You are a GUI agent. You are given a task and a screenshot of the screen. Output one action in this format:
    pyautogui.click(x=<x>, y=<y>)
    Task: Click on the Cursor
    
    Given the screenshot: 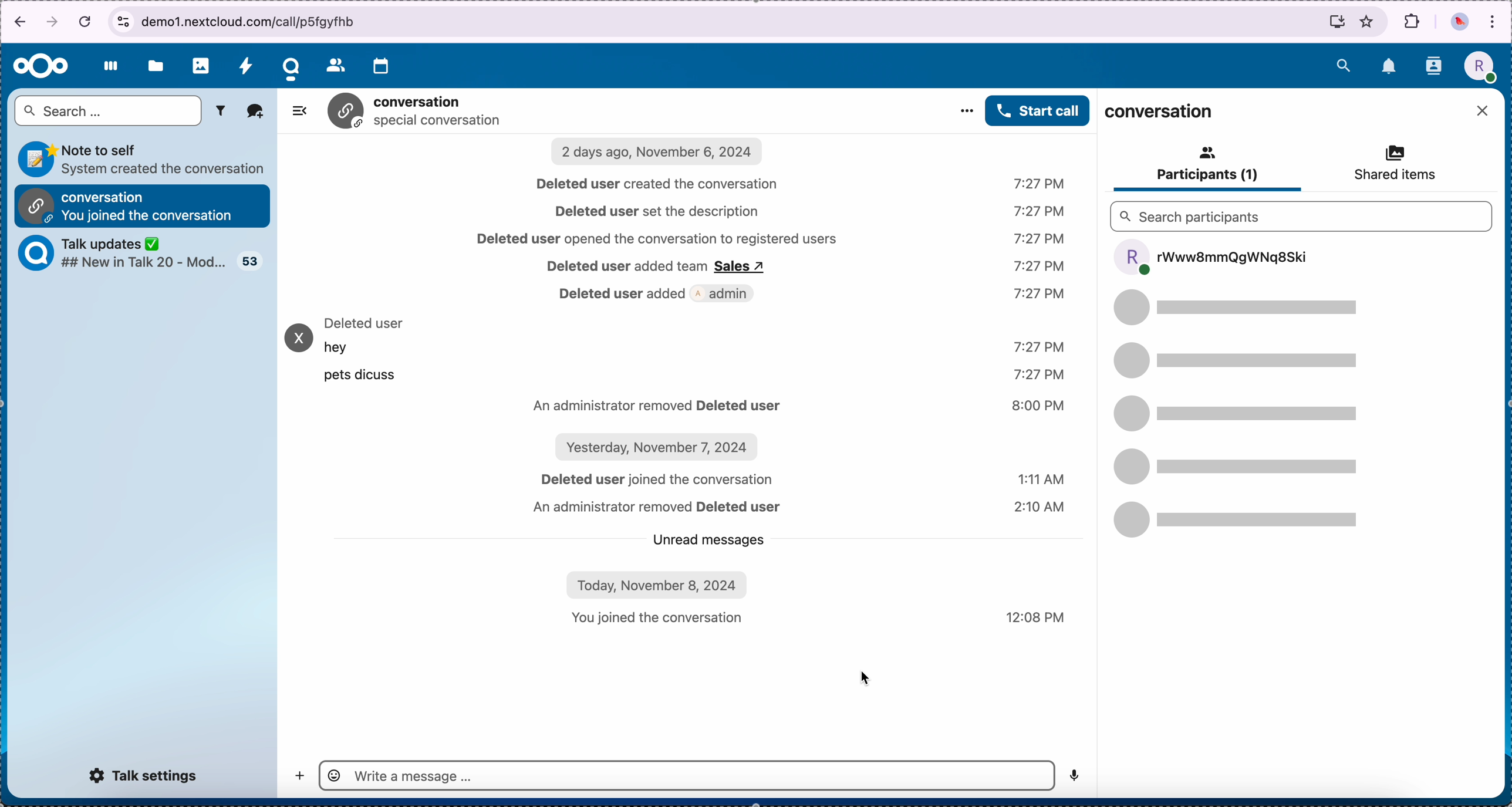 What is the action you would take?
    pyautogui.click(x=863, y=677)
    